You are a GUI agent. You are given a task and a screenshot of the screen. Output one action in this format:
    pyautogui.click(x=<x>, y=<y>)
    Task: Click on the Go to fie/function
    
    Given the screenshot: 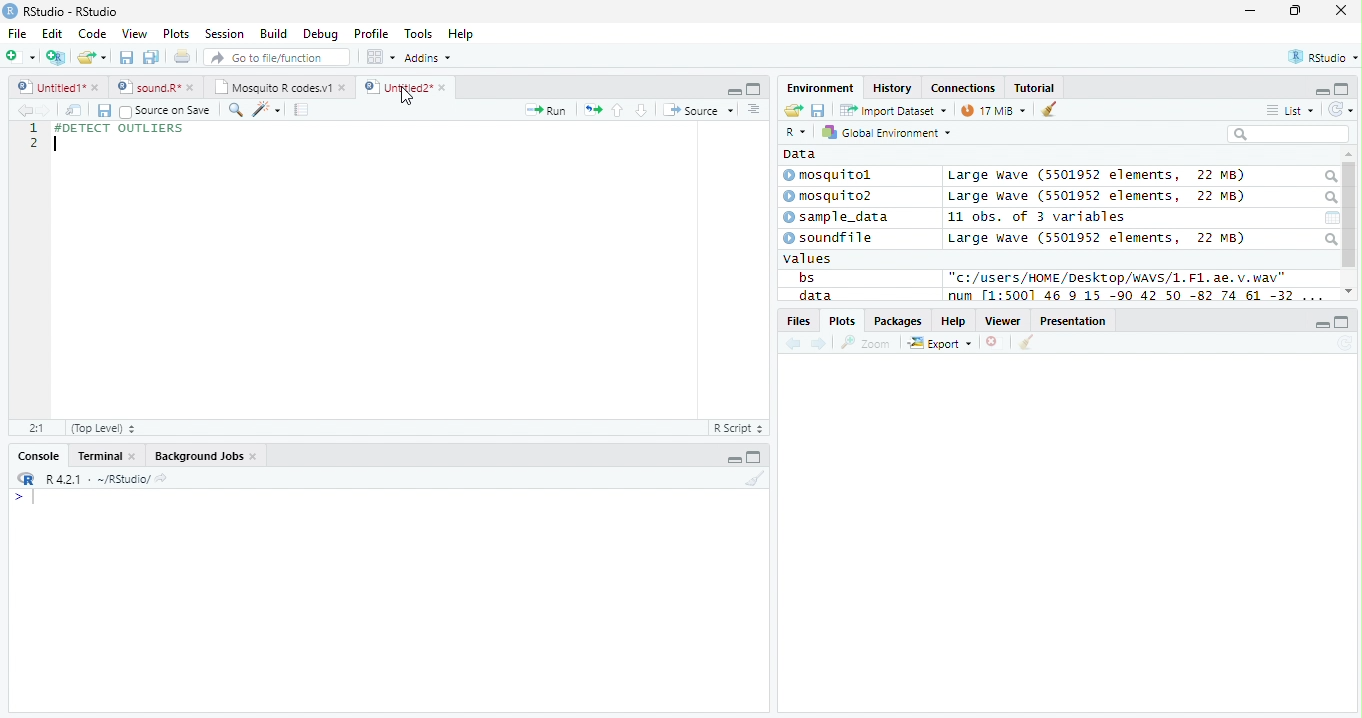 What is the action you would take?
    pyautogui.click(x=277, y=57)
    